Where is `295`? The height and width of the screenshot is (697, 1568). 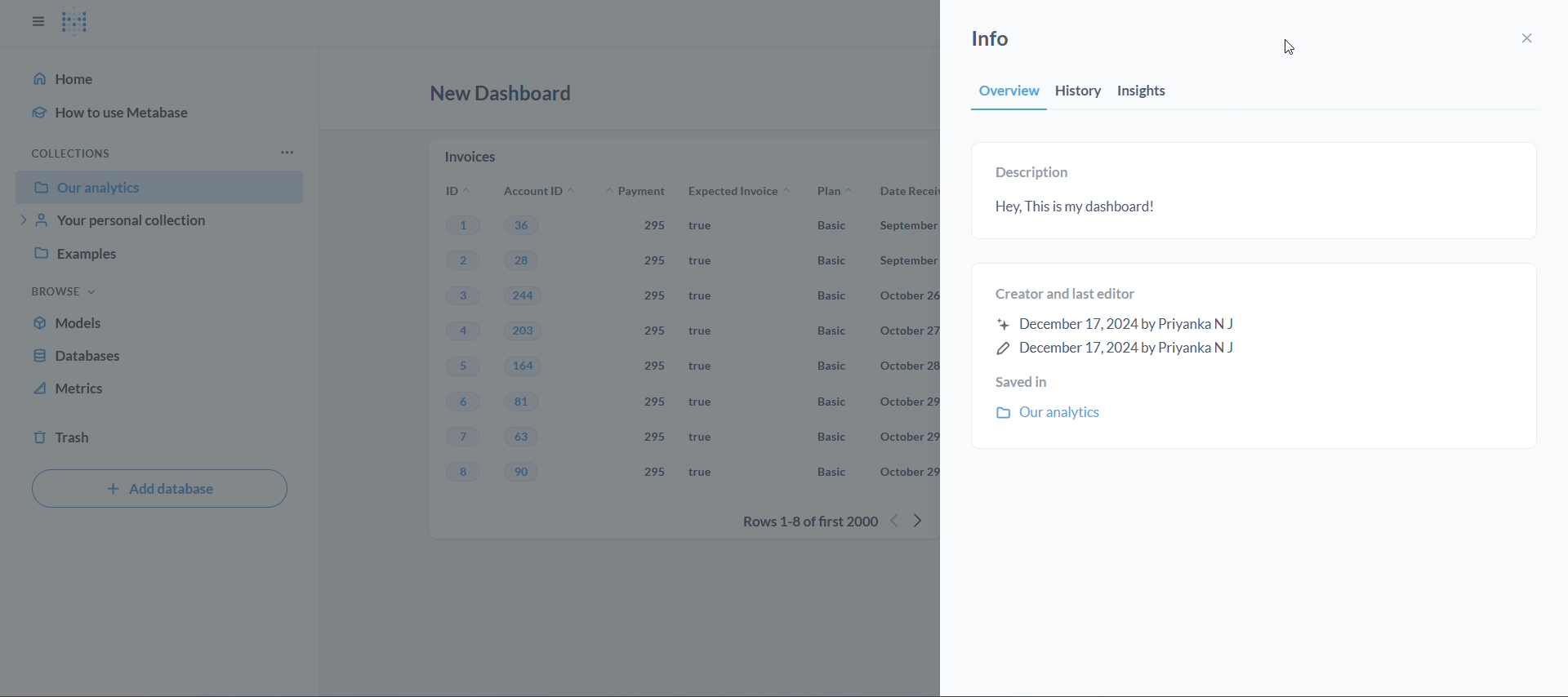
295 is located at coordinates (657, 262).